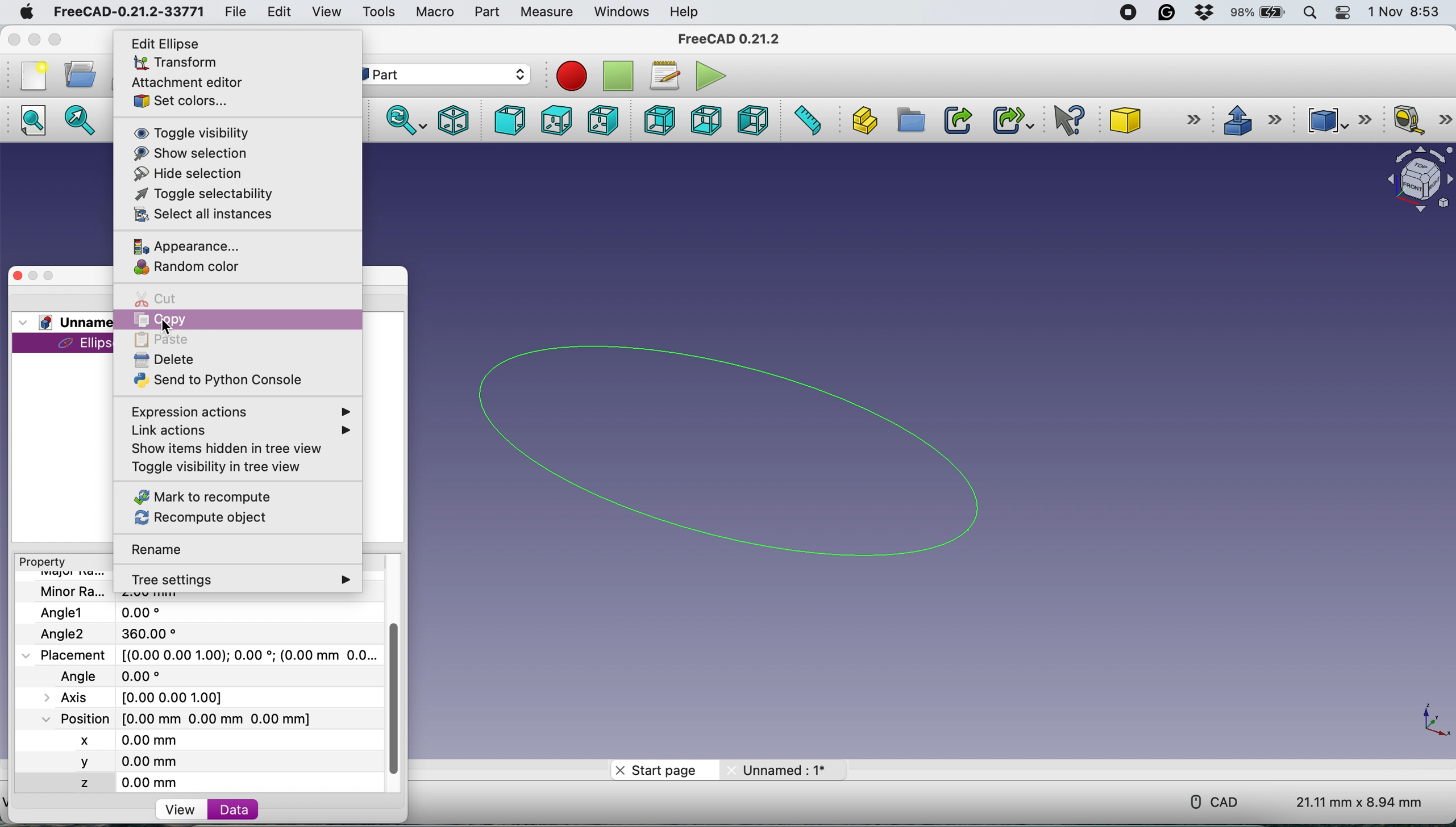 The height and width of the screenshot is (827, 1456). I want to click on Angle, so click(117, 633).